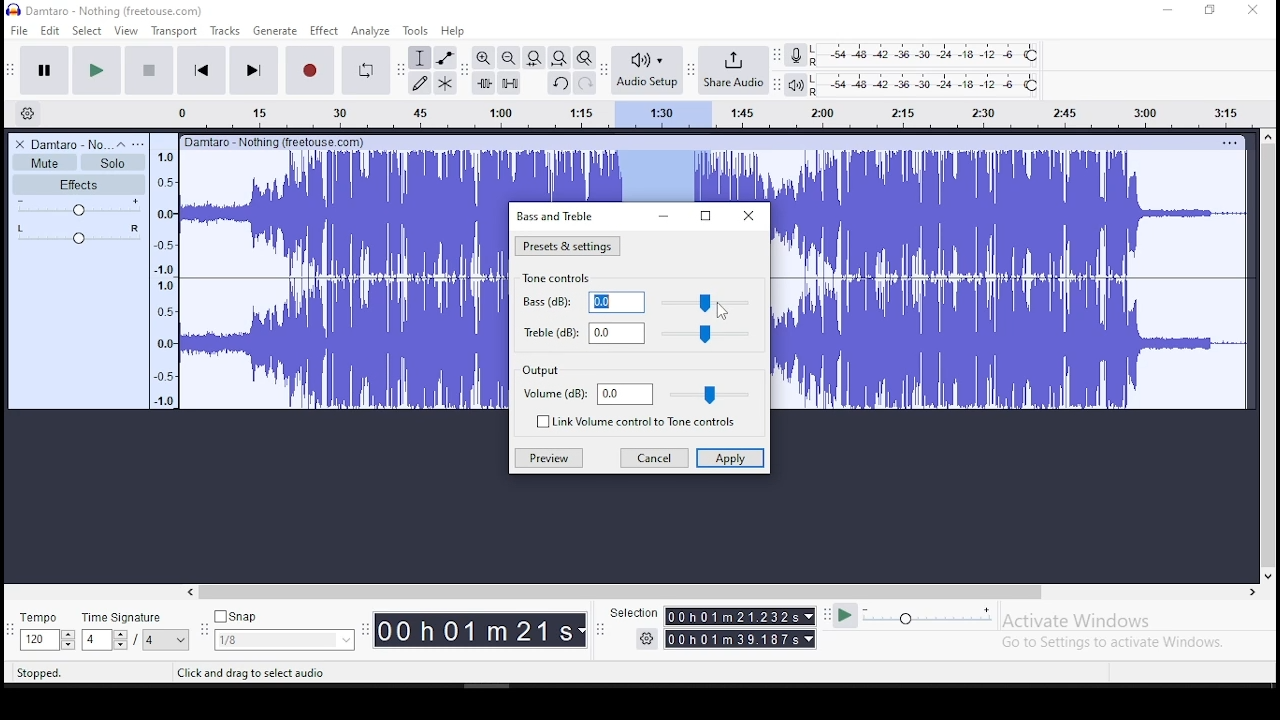  Describe the element at coordinates (583, 59) in the screenshot. I see `zoom toggle` at that location.